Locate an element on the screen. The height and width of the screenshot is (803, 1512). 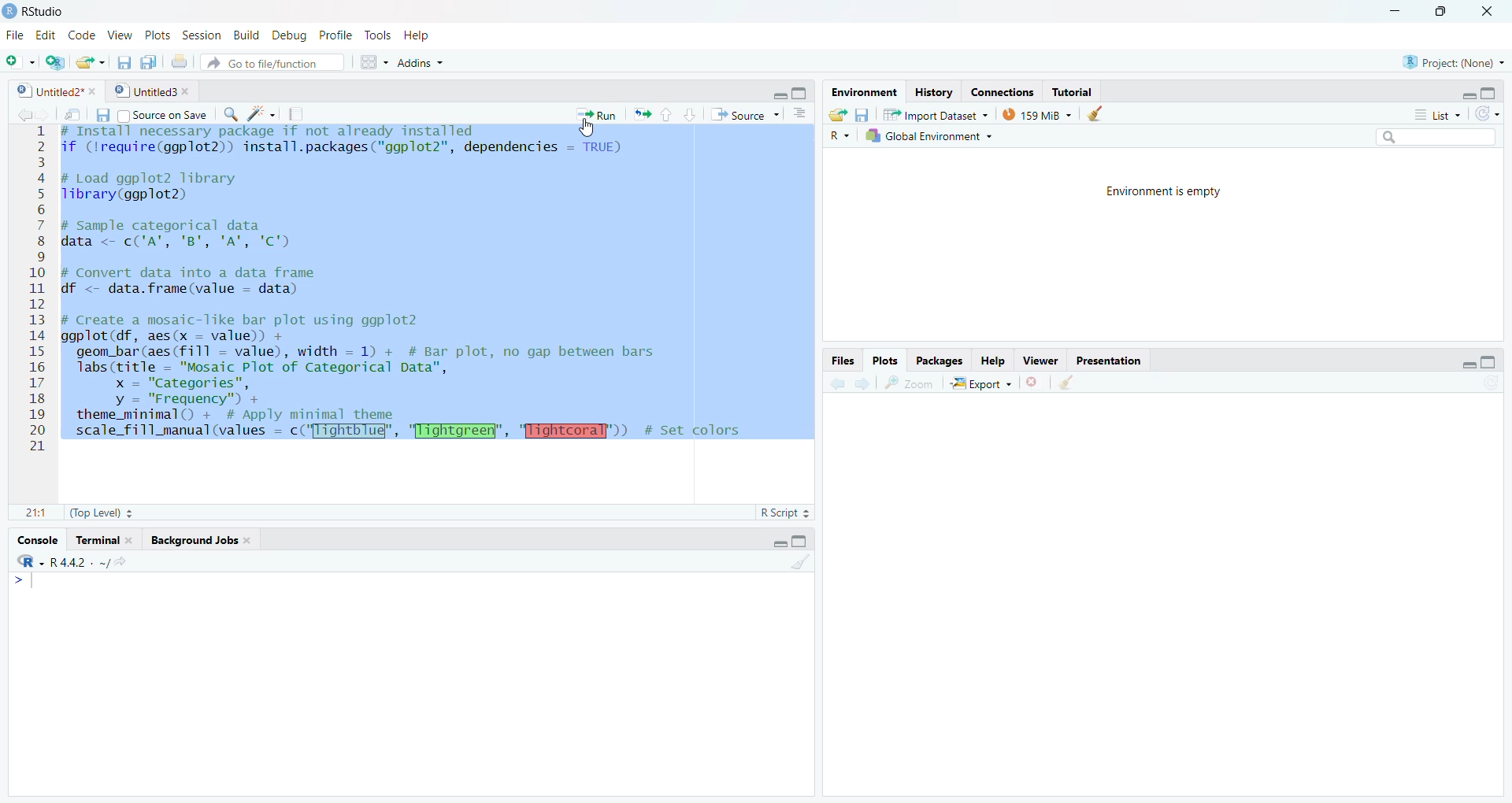
Terminal is located at coordinates (104, 540).